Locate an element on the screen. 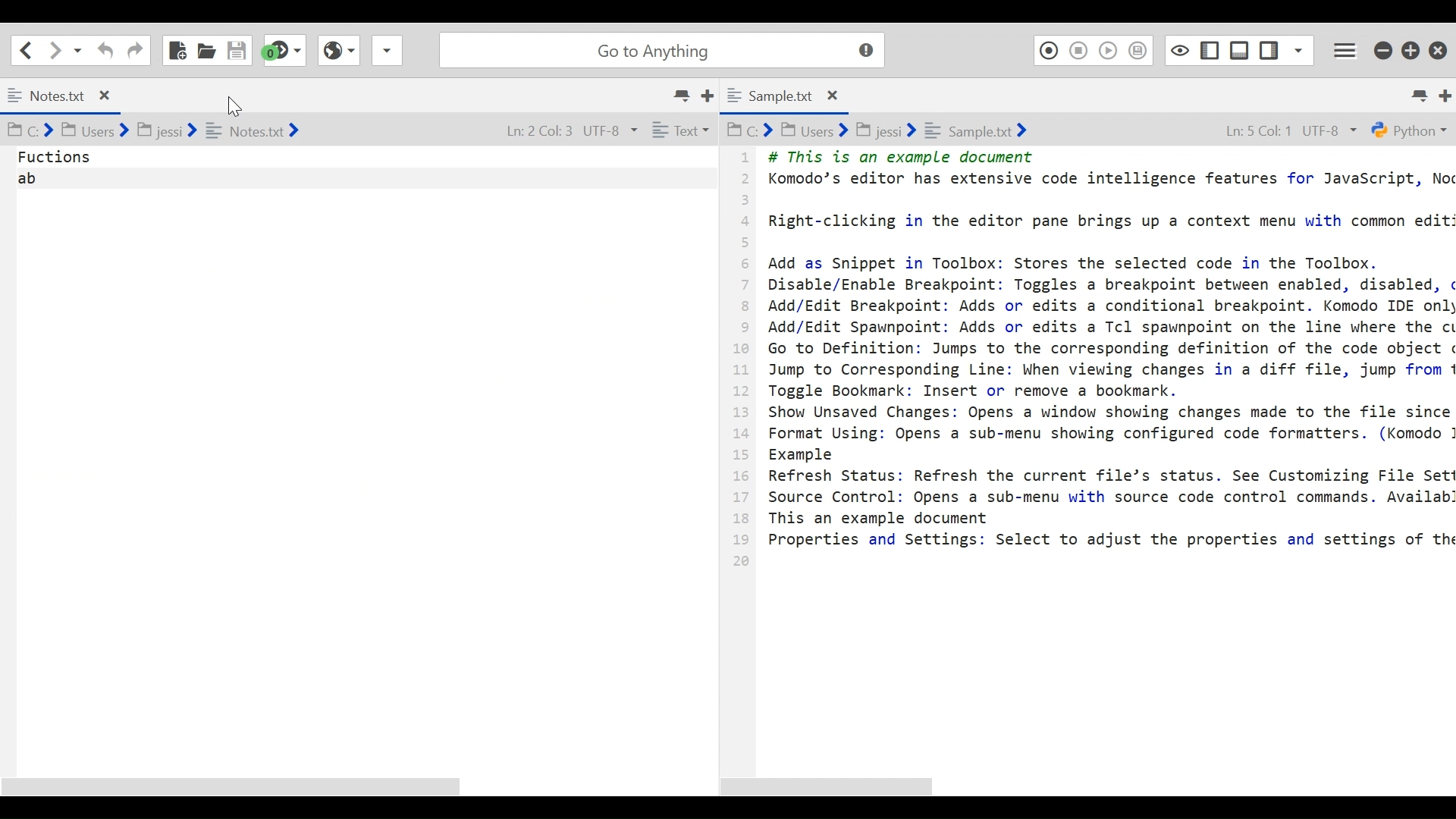  1  2 3 4 5 6 7 8 9 10 11 12 13 14 15 16 17 18 19 20 is located at coordinates (741, 366).